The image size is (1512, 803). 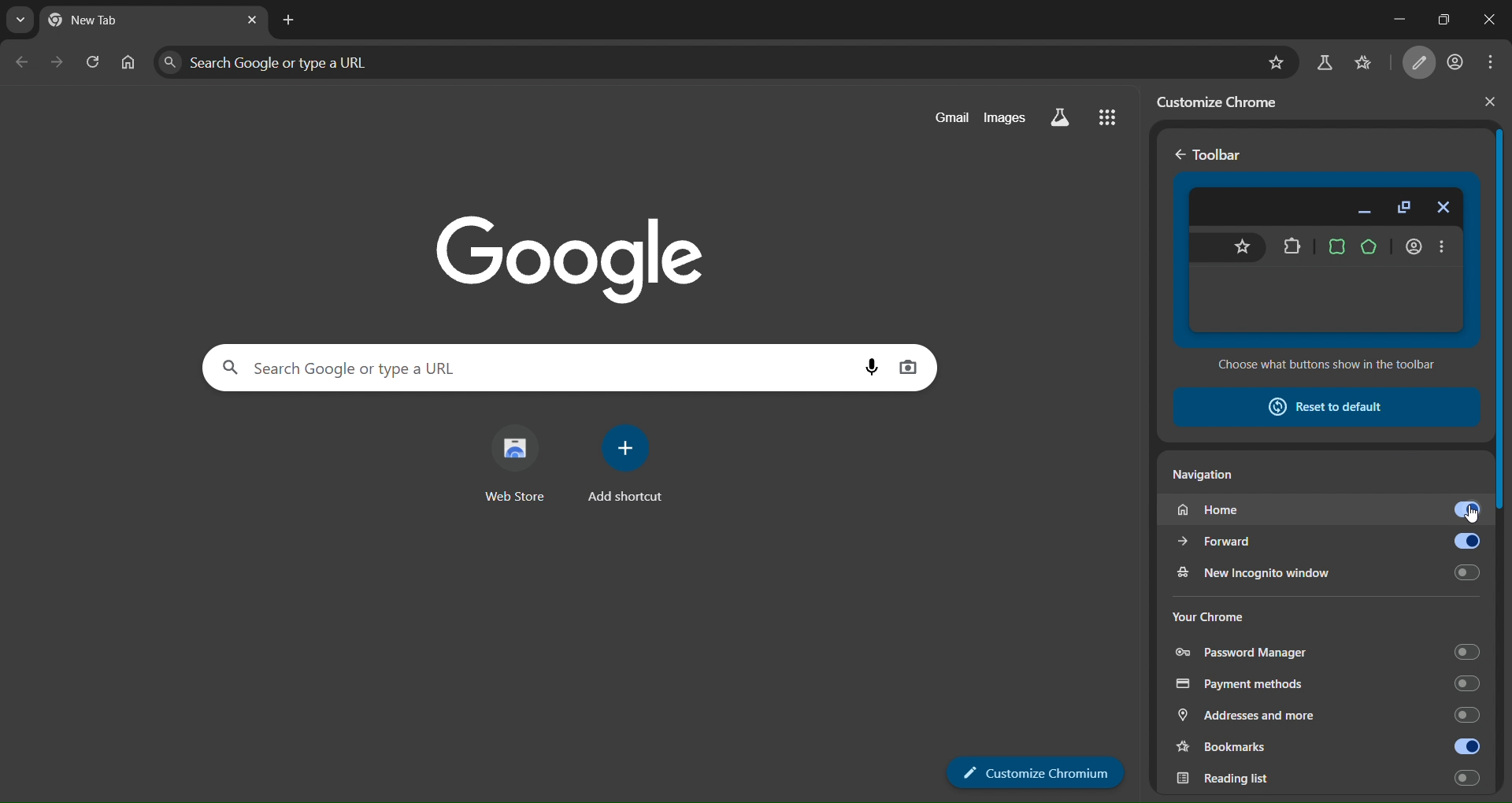 What do you see at coordinates (1327, 713) in the screenshot?
I see `addresses and more` at bounding box center [1327, 713].